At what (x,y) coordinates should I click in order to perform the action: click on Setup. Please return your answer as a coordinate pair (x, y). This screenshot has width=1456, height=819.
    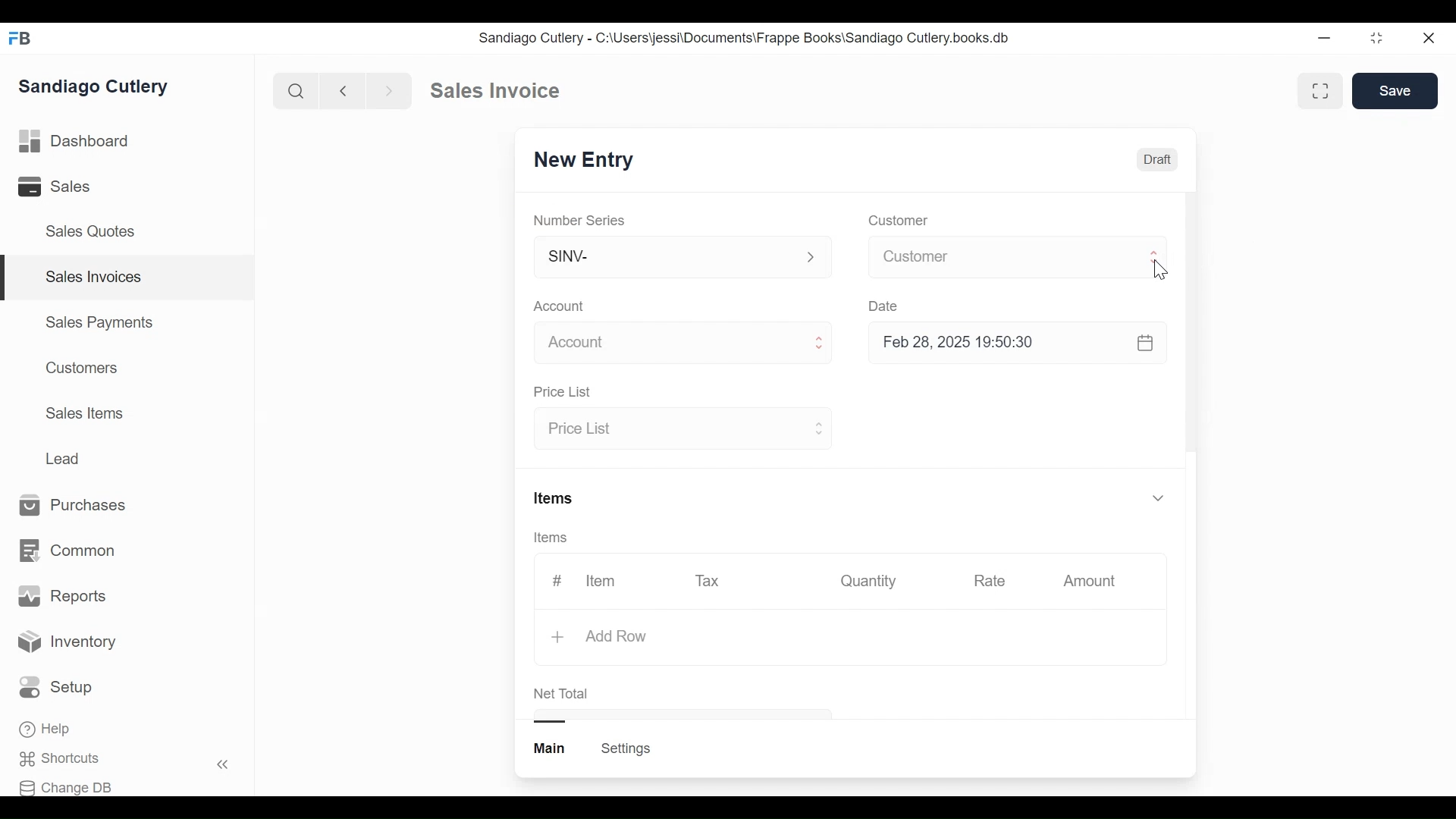
    Looking at the image, I should click on (56, 687).